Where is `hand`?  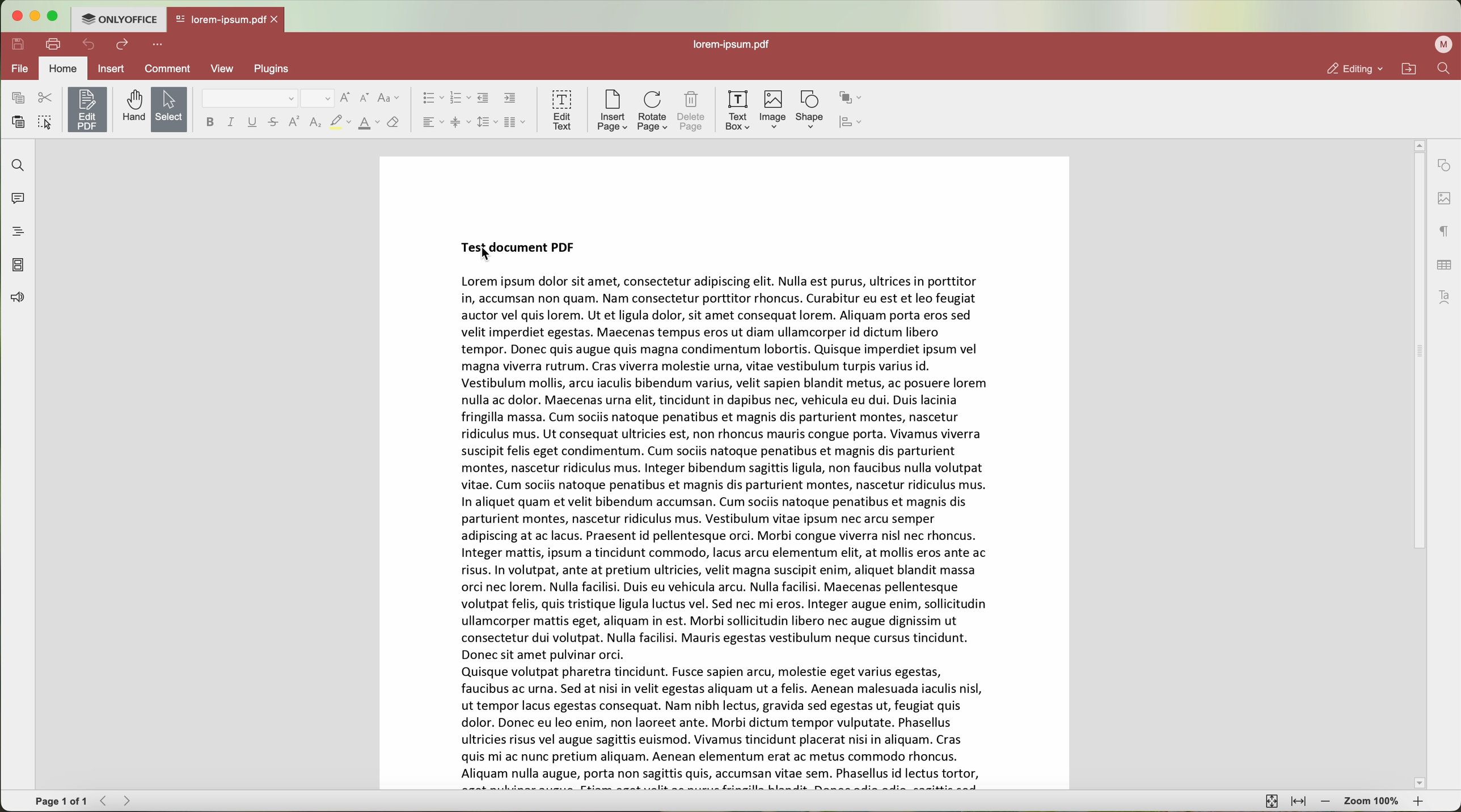 hand is located at coordinates (129, 107).